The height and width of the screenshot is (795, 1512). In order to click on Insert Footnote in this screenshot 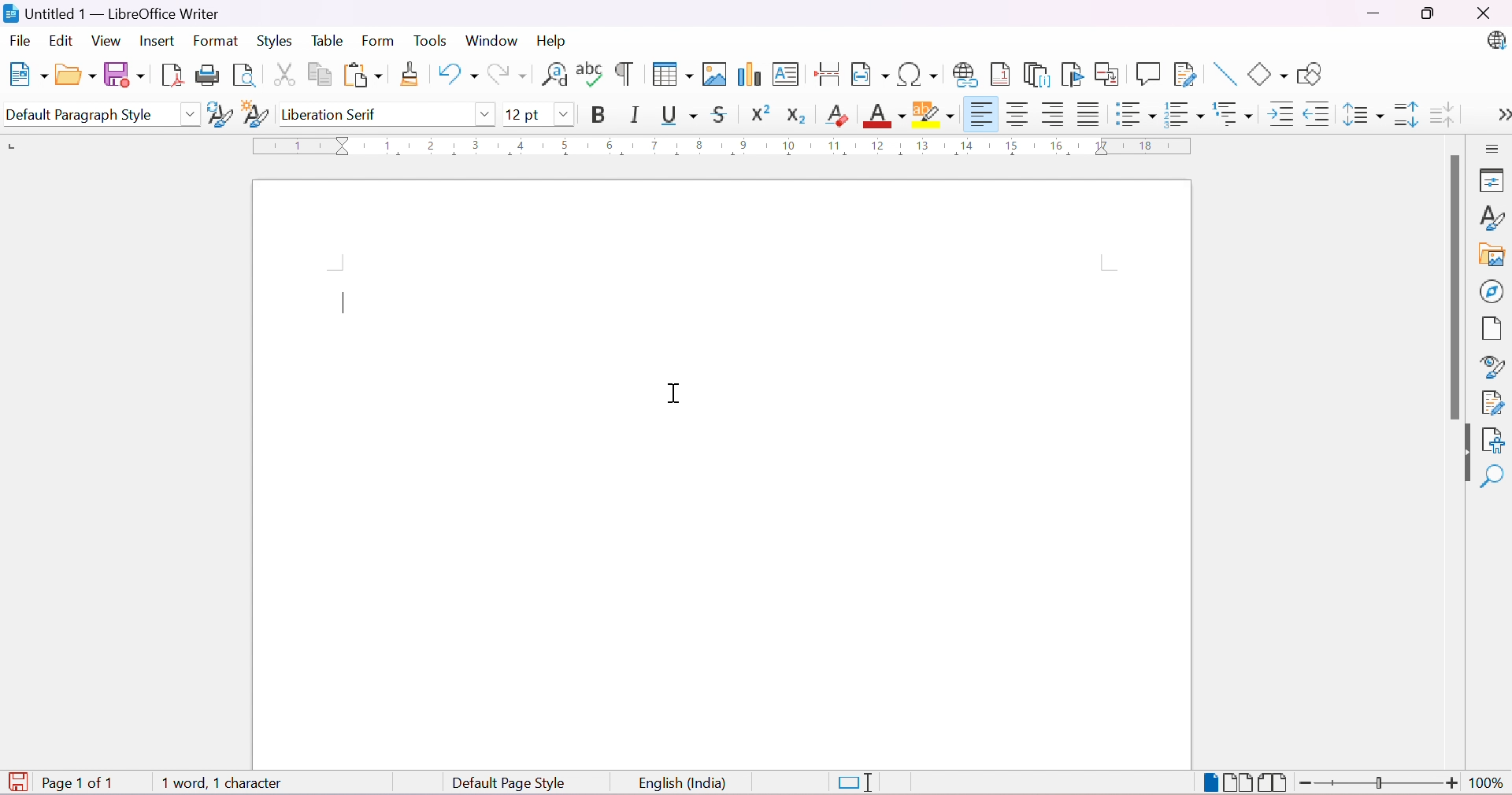, I will do `click(999, 75)`.